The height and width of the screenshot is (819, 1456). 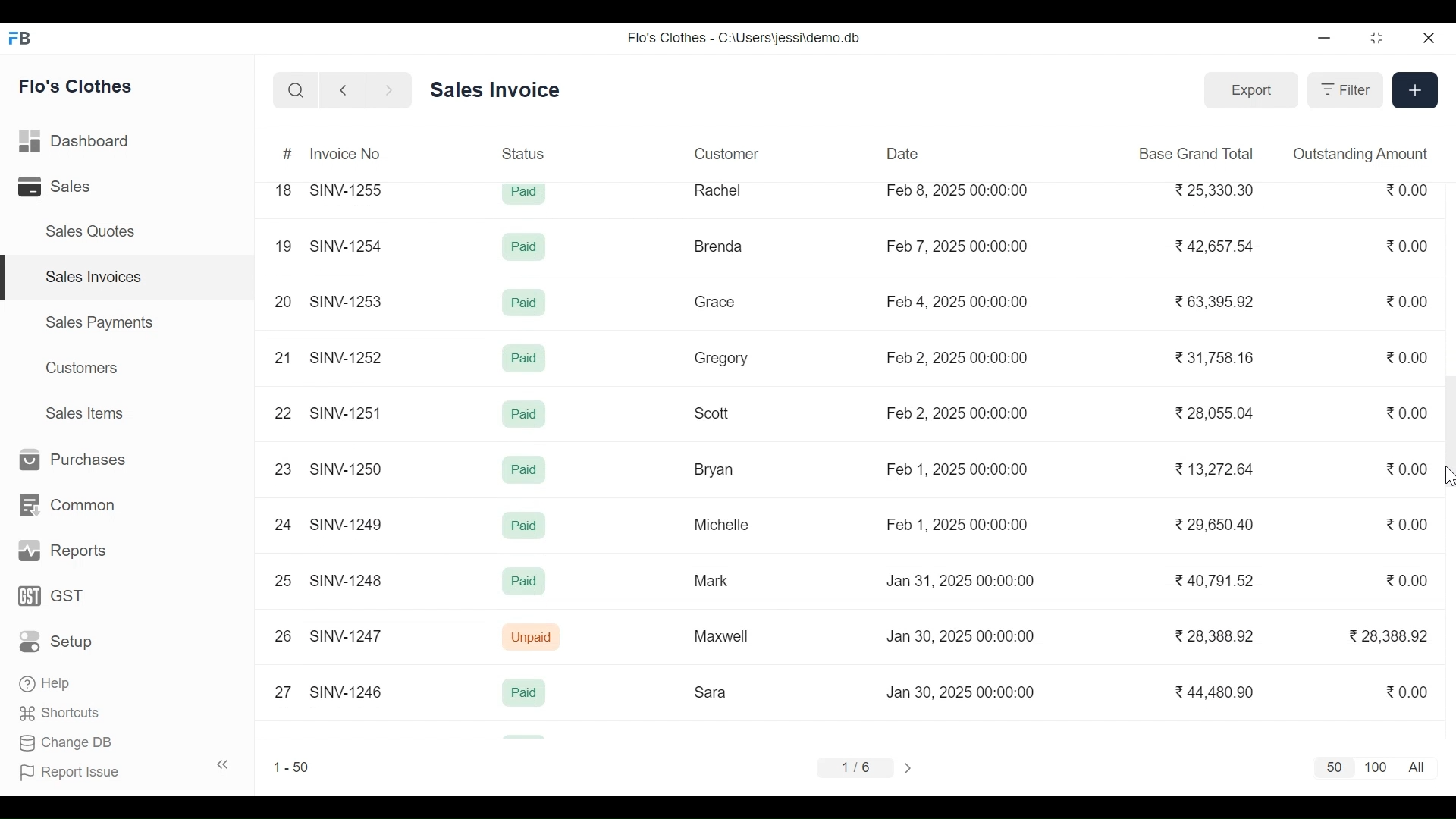 I want to click on Search, so click(x=296, y=91).